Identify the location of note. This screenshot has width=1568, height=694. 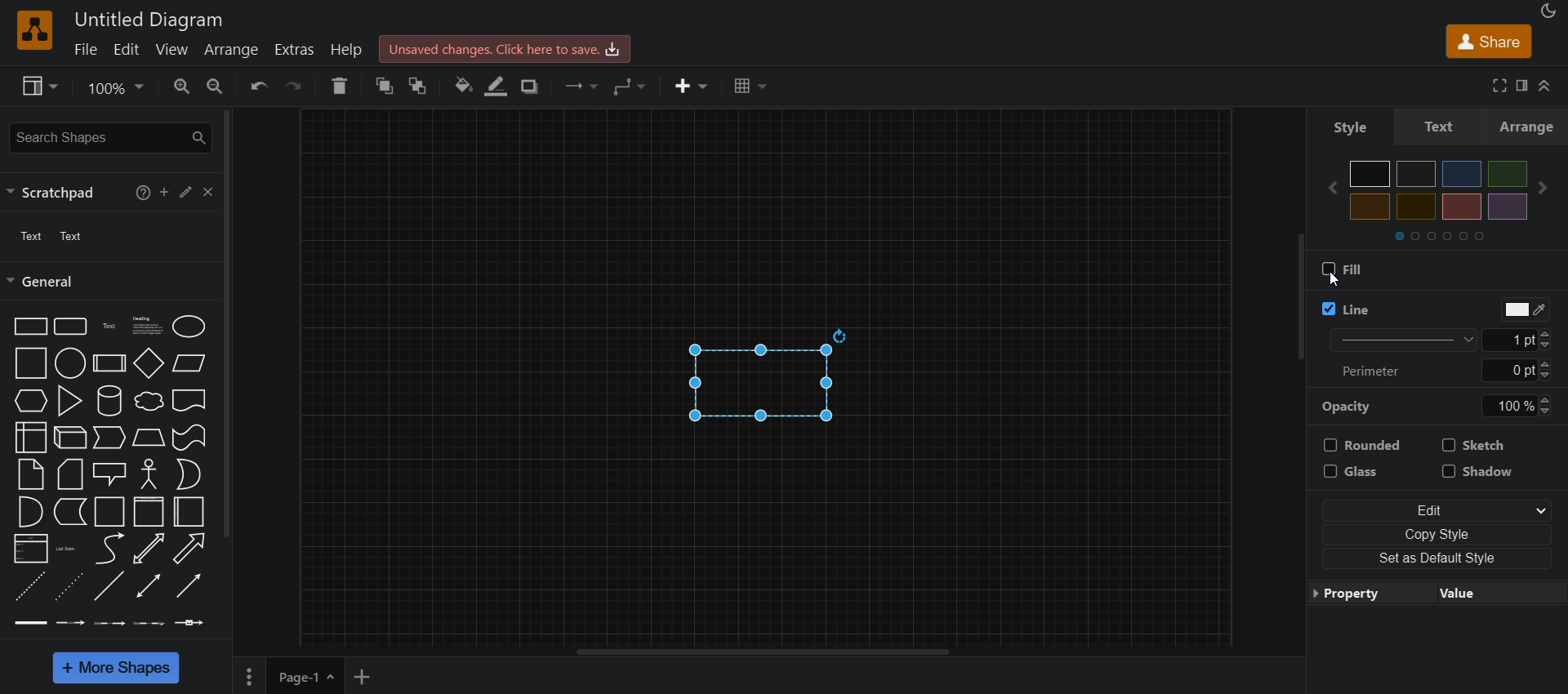
(33, 475).